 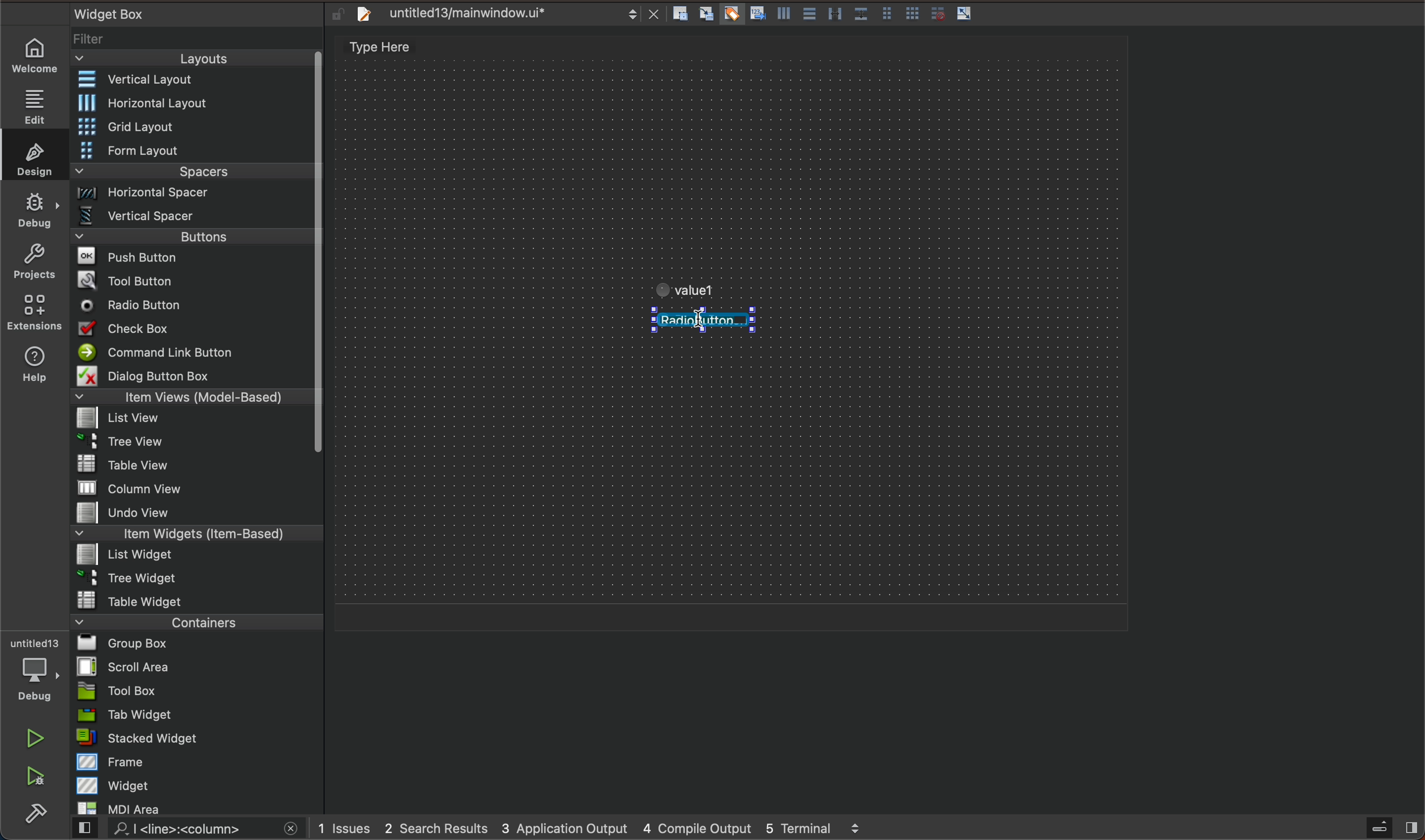 What do you see at coordinates (194, 240) in the screenshot?
I see `` at bounding box center [194, 240].